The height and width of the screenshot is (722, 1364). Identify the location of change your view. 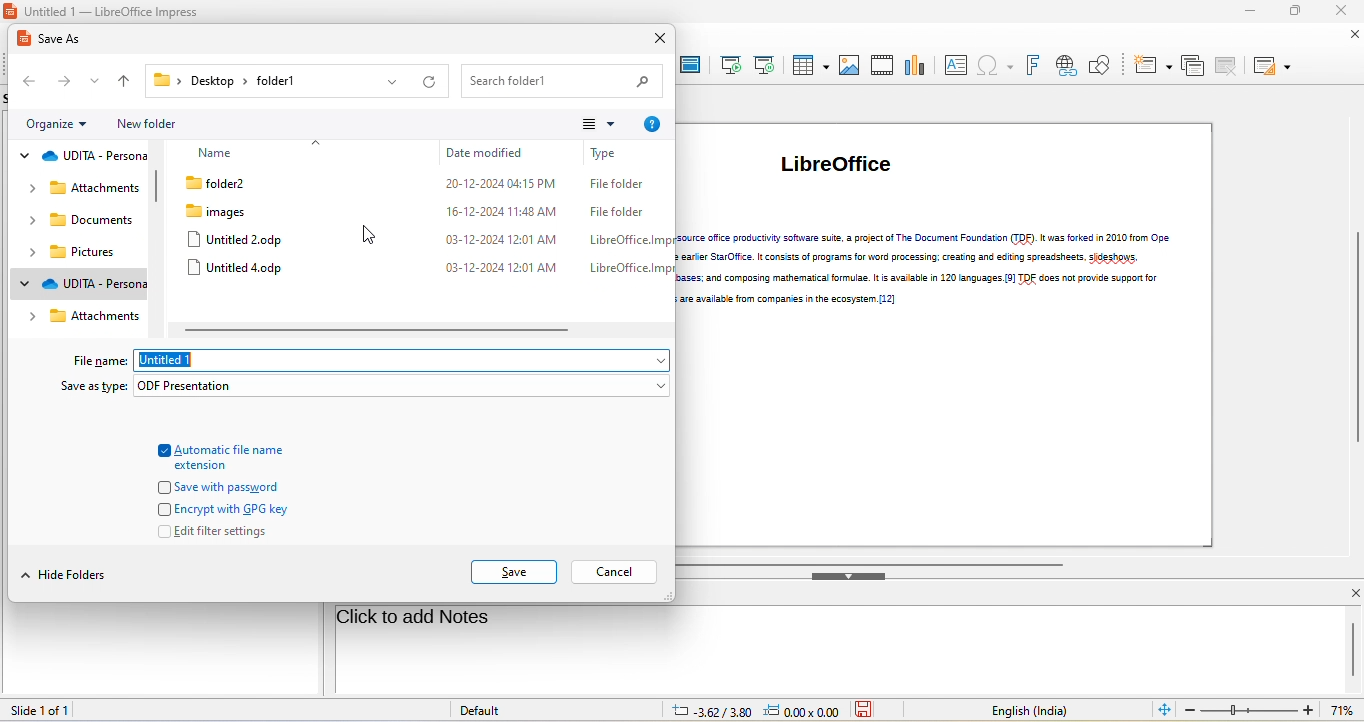
(593, 122).